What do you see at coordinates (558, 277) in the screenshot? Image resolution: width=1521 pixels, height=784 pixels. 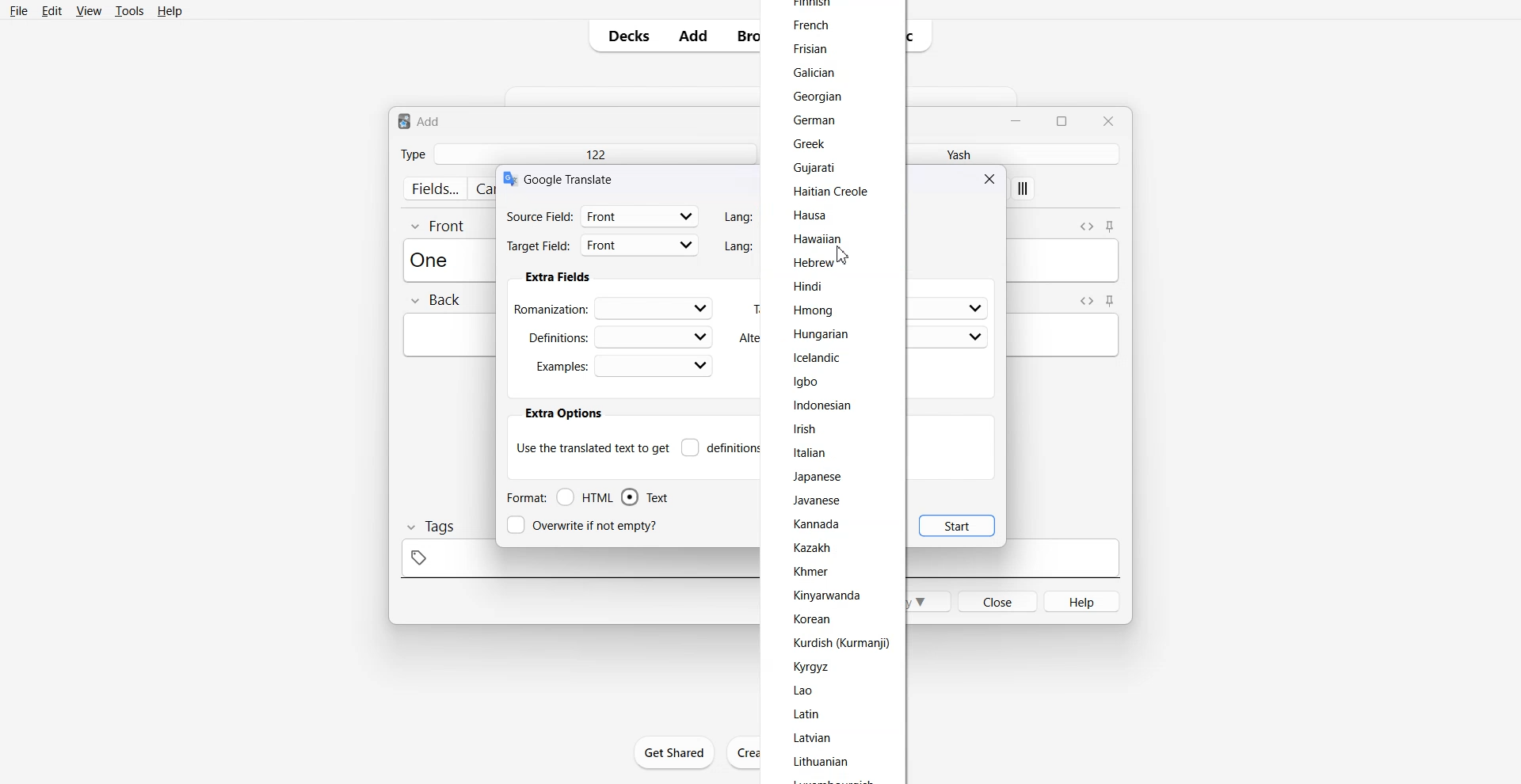 I see `Extra fields` at bounding box center [558, 277].